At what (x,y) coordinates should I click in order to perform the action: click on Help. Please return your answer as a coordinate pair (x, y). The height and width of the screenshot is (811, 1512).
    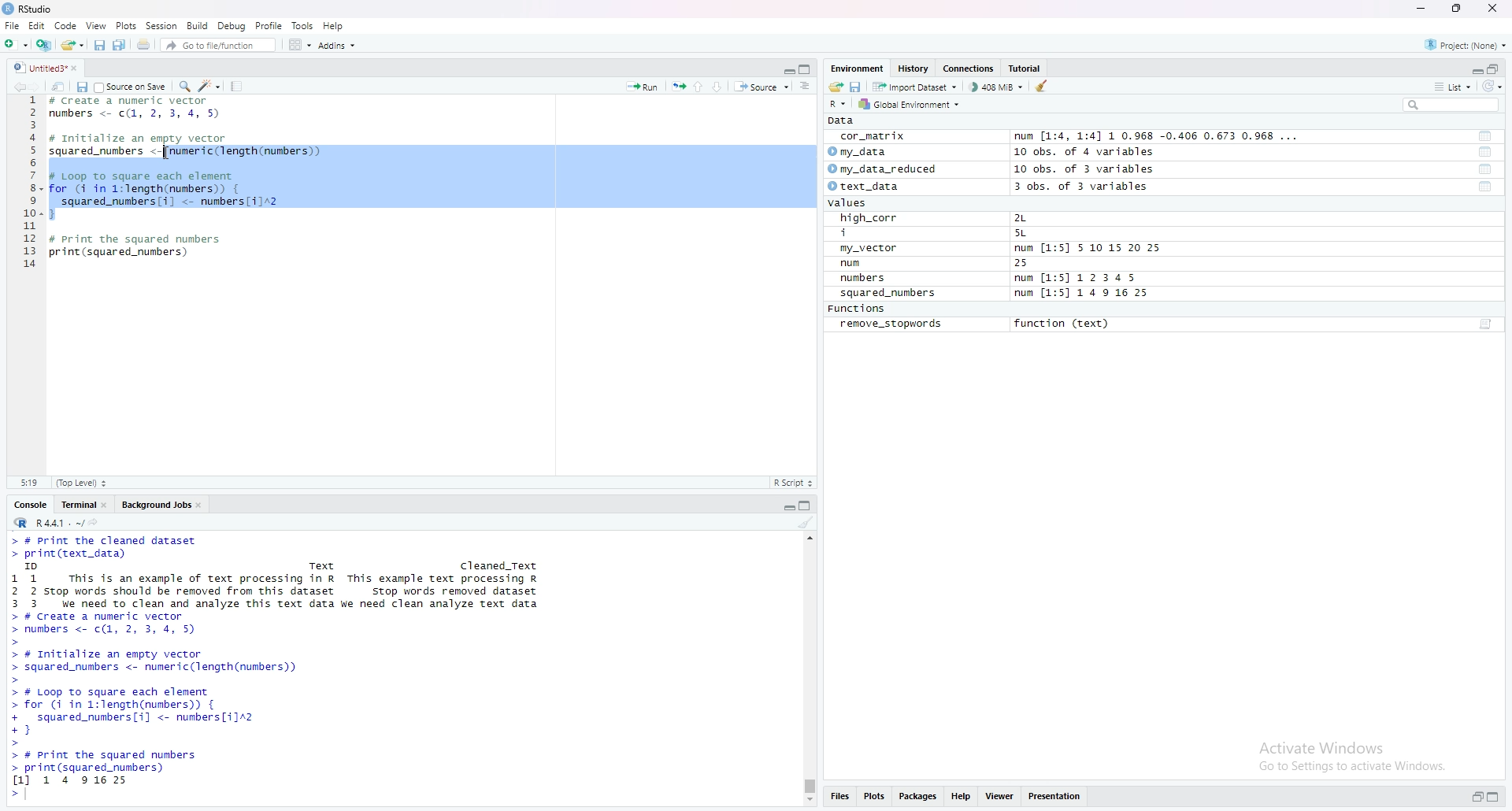
    Looking at the image, I should click on (334, 25).